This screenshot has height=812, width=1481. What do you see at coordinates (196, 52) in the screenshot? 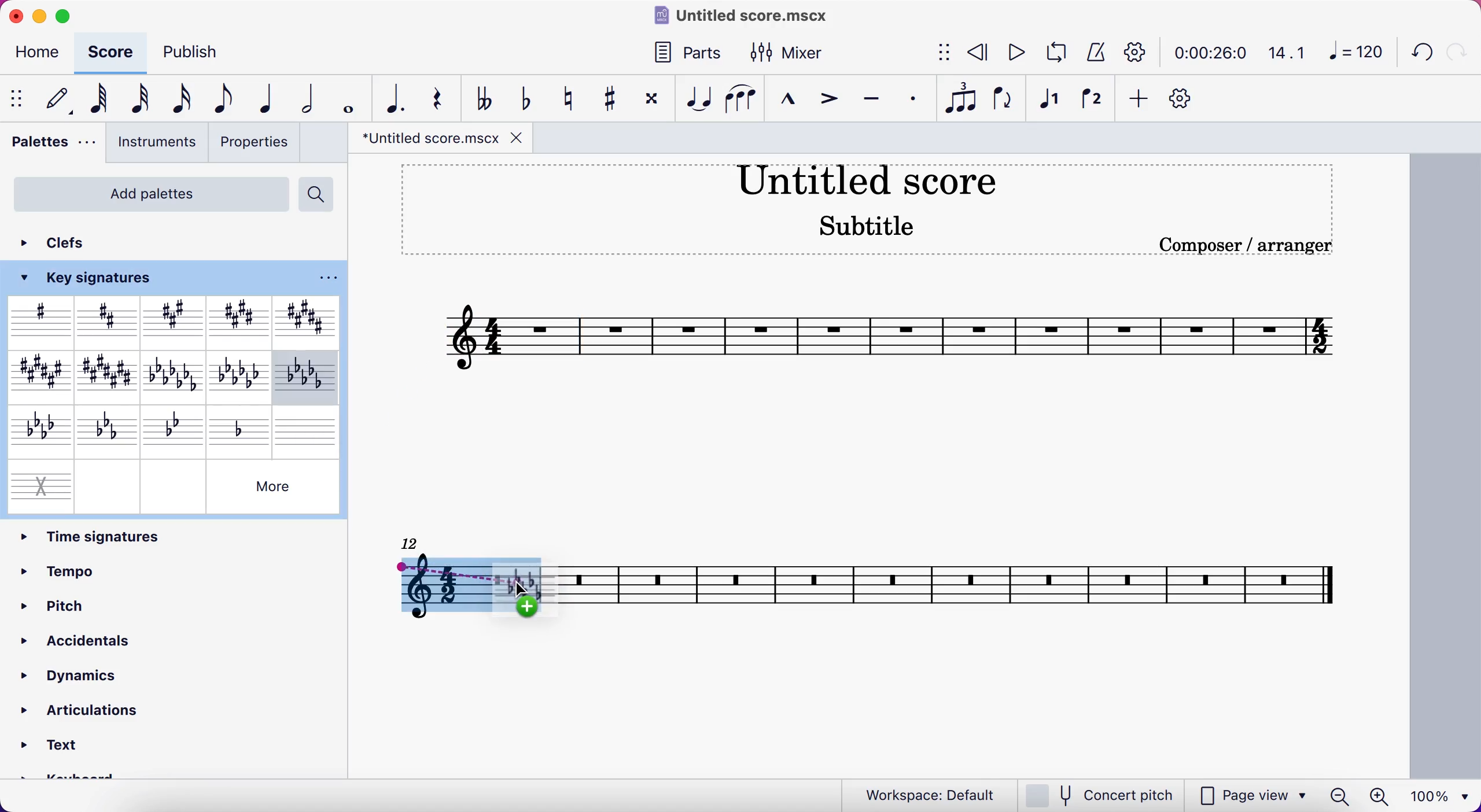
I see `publish` at bounding box center [196, 52].